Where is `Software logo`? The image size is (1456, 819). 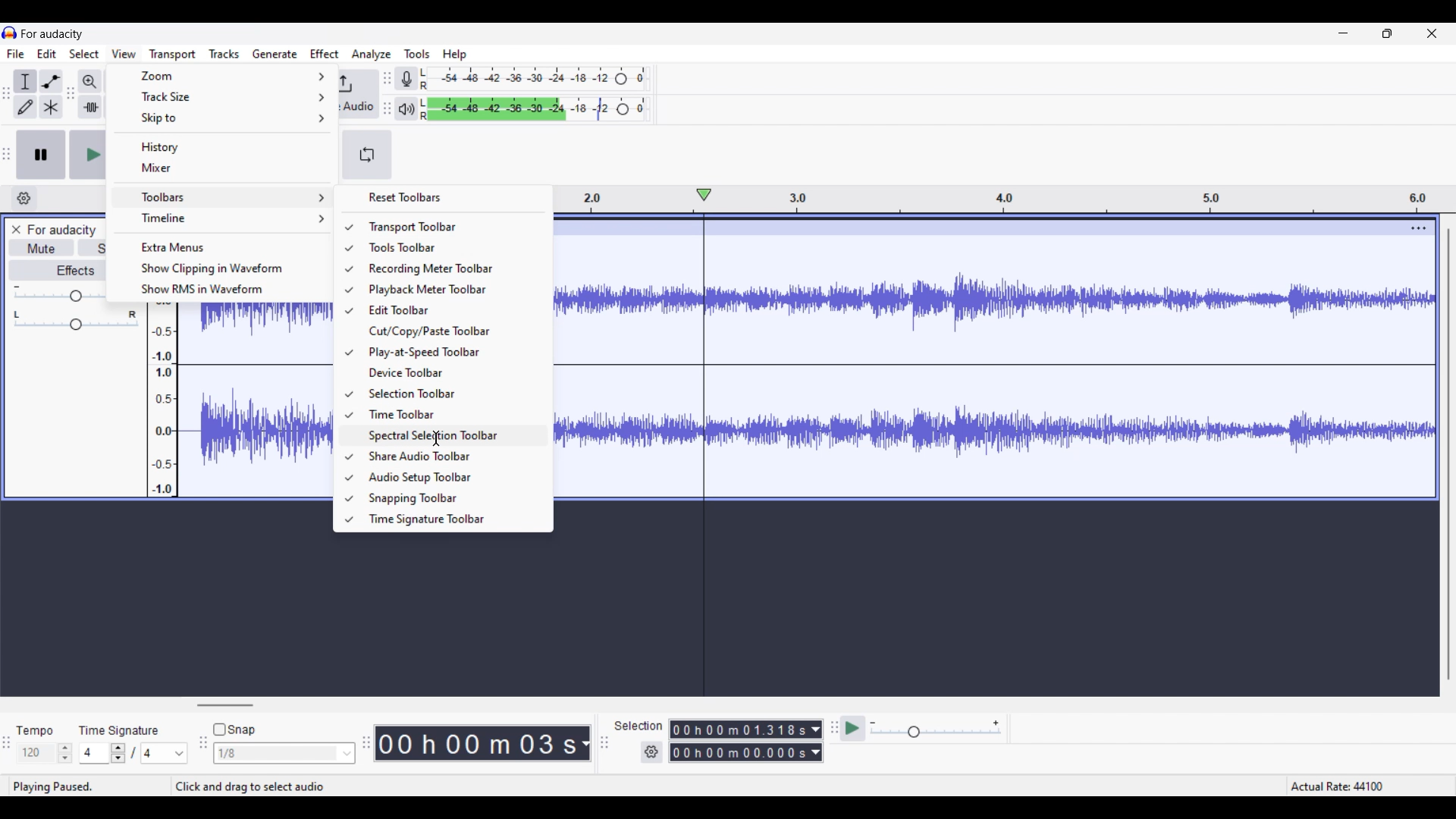
Software logo is located at coordinates (10, 33).